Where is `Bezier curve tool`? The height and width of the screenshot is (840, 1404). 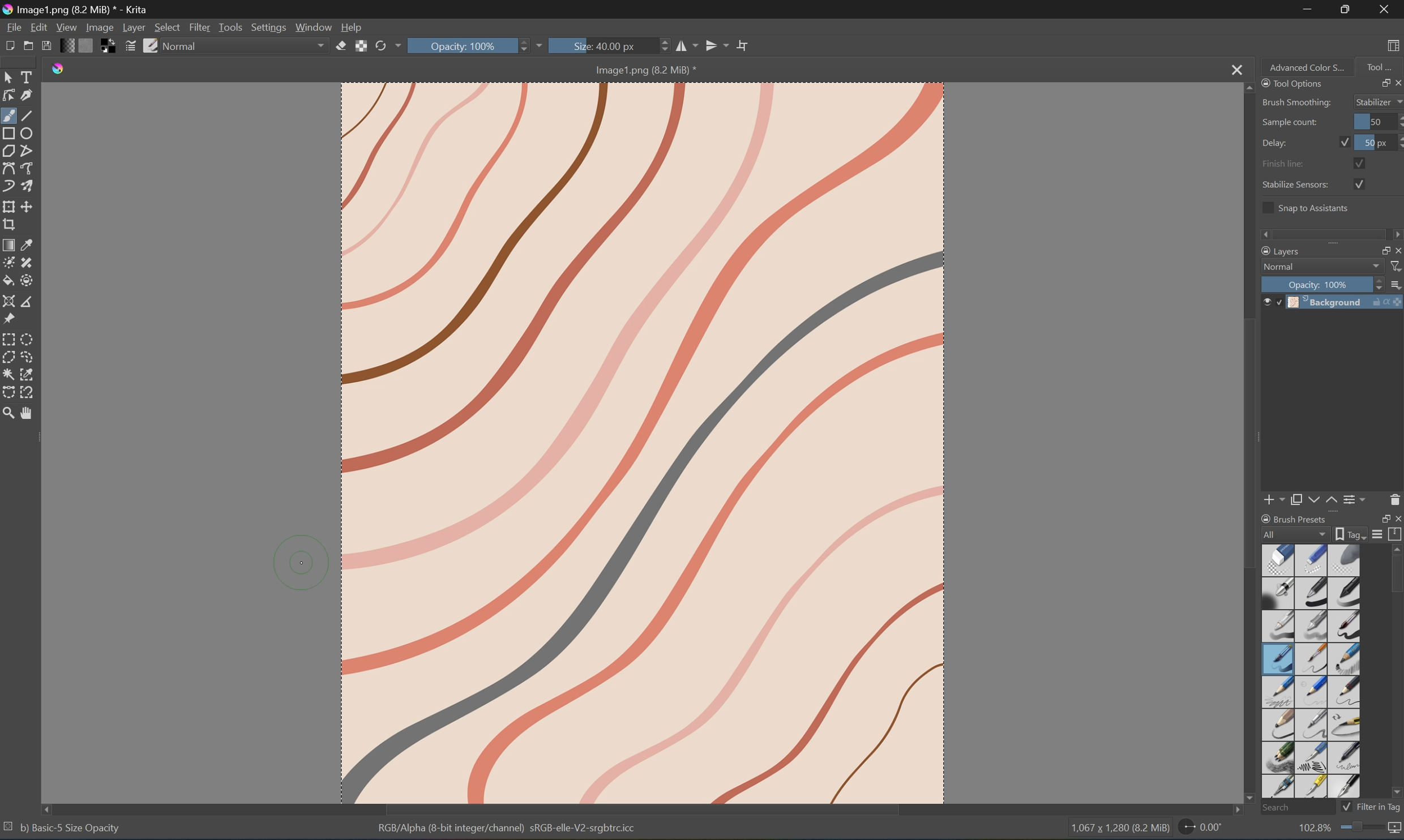
Bezier curve tool is located at coordinates (9, 168).